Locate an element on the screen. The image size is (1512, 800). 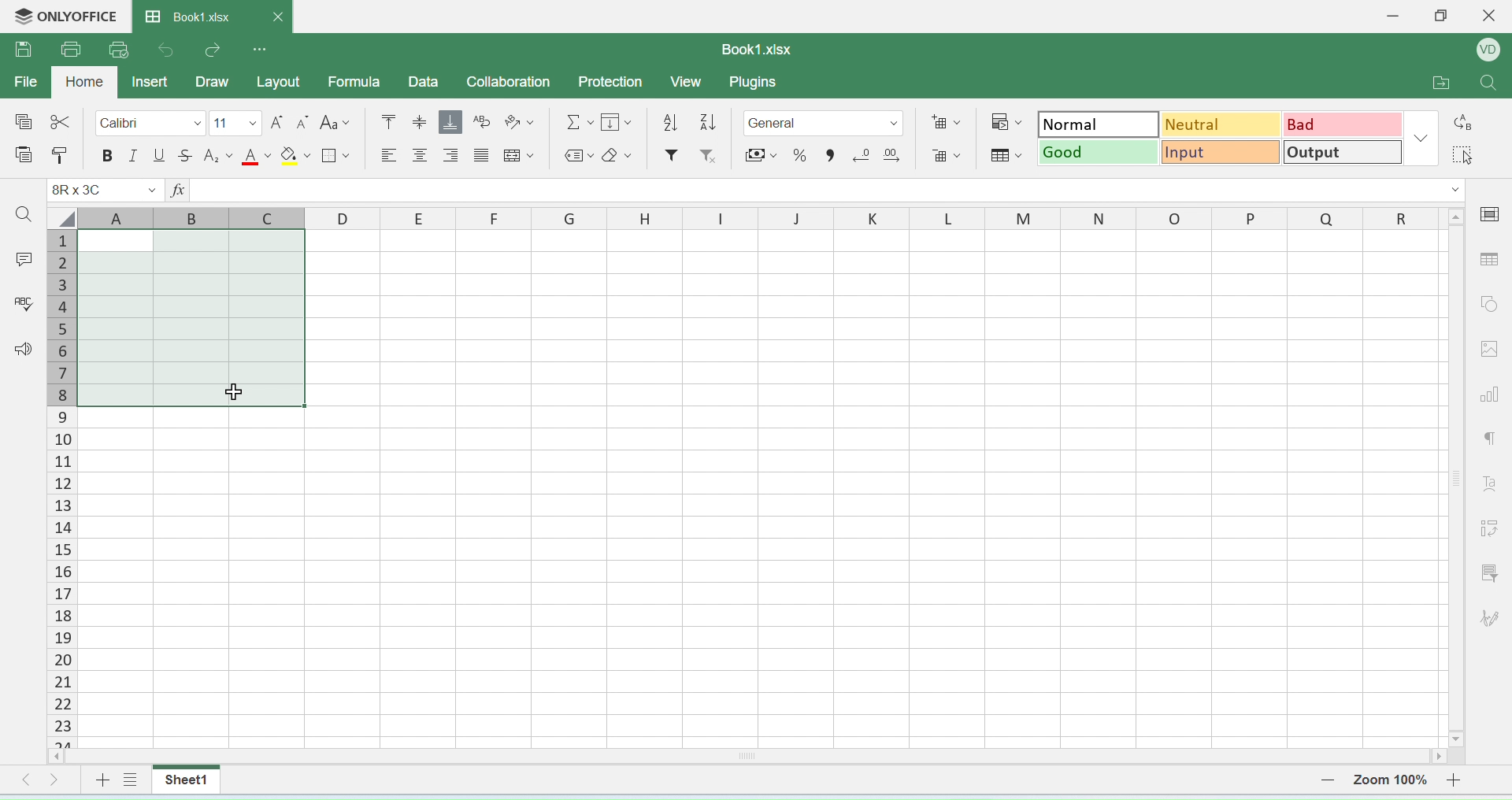
filter is located at coordinates (1492, 574).